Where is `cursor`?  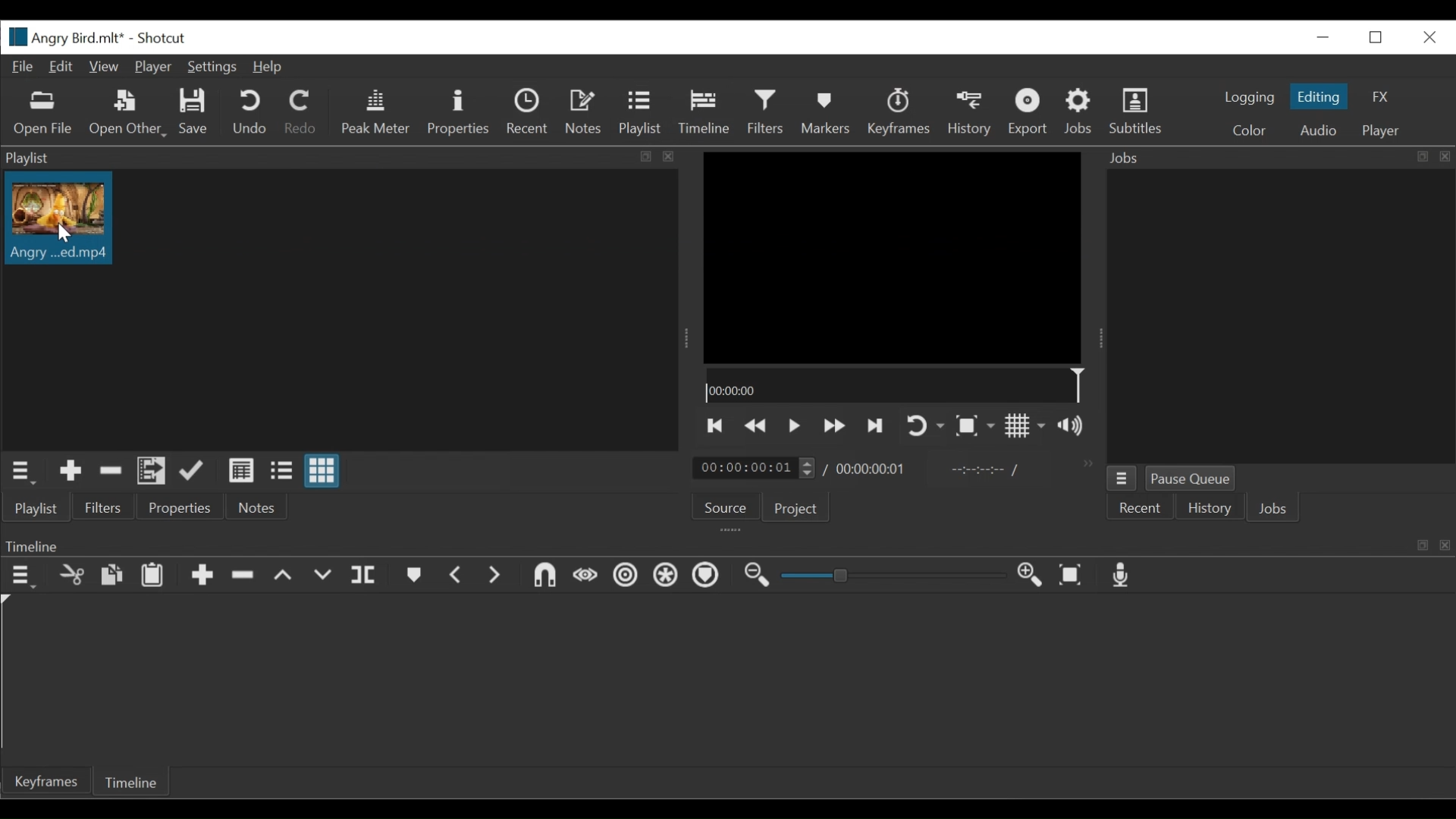
cursor is located at coordinates (67, 231).